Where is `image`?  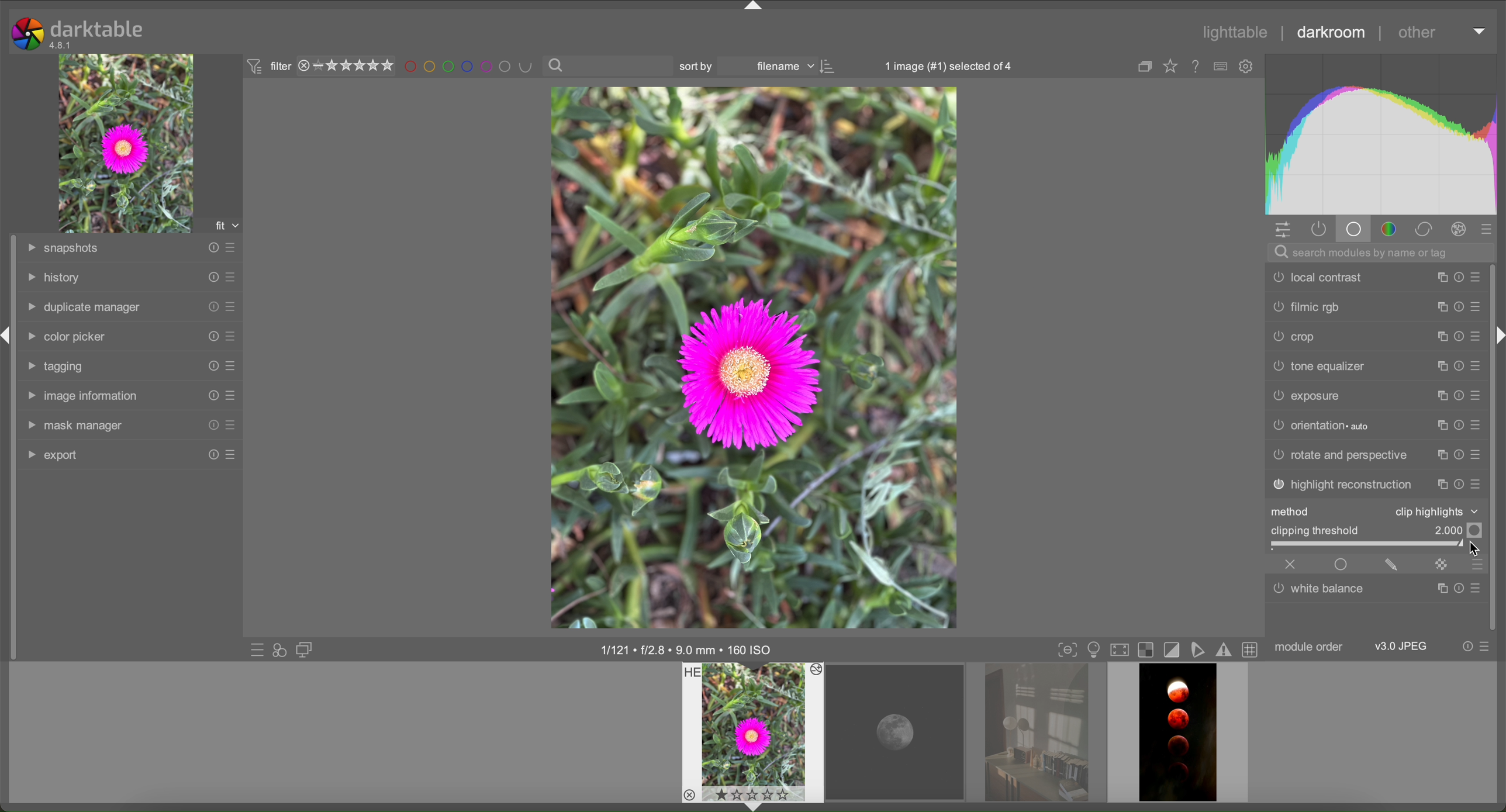 image is located at coordinates (128, 143).